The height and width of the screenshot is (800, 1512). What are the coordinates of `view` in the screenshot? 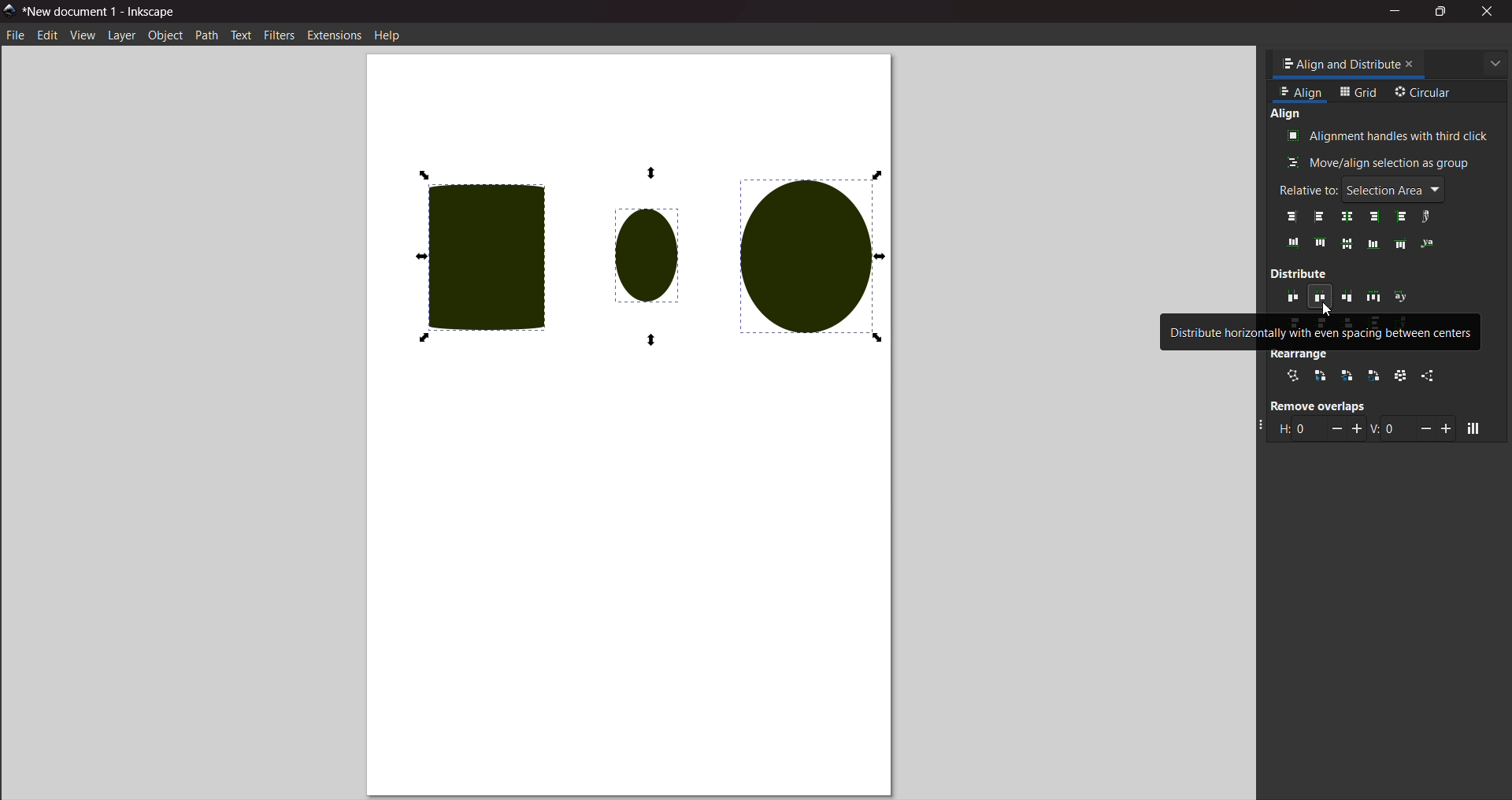 It's located at (82, 36).